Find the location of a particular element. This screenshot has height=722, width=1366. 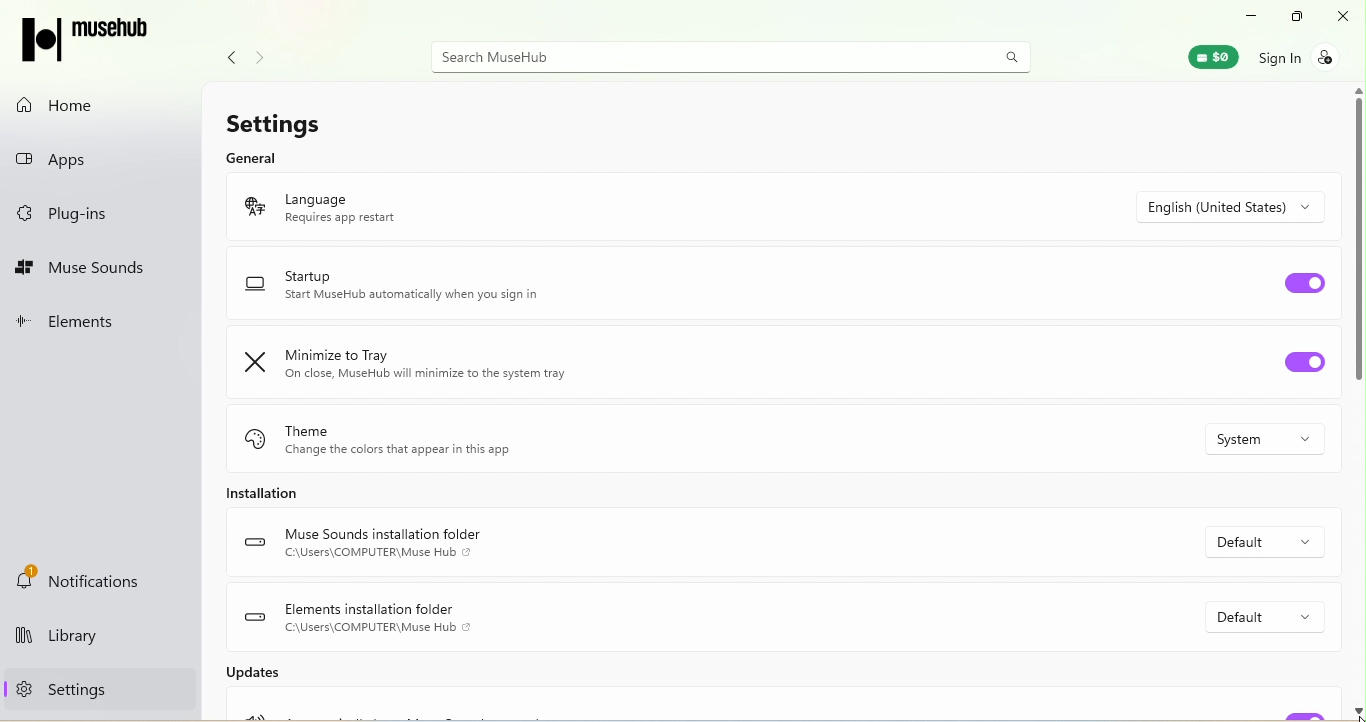

Maximize is located at coordinates (1292, 17).